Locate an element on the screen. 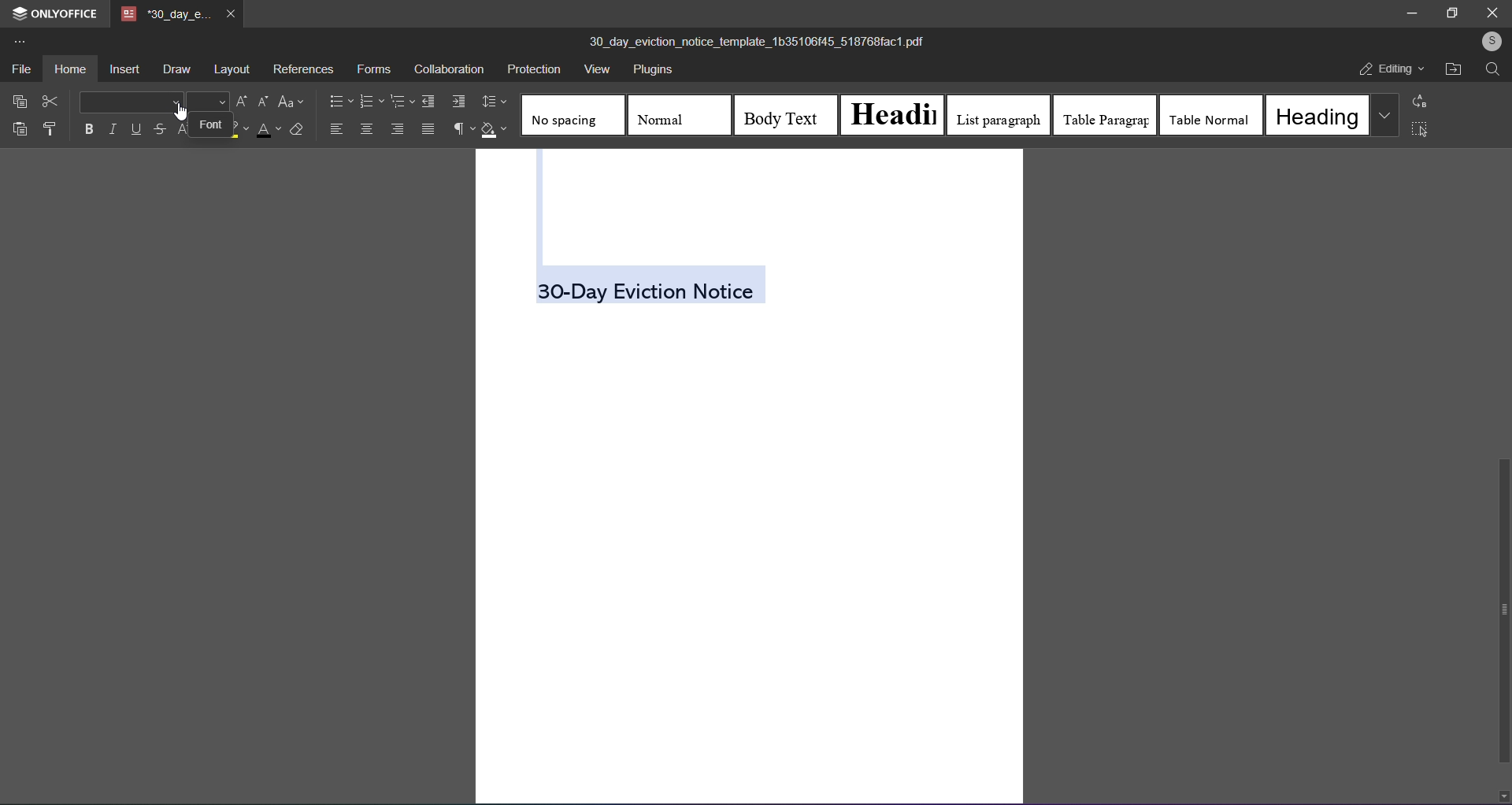  line spacing is located at coordinates (495, 102).